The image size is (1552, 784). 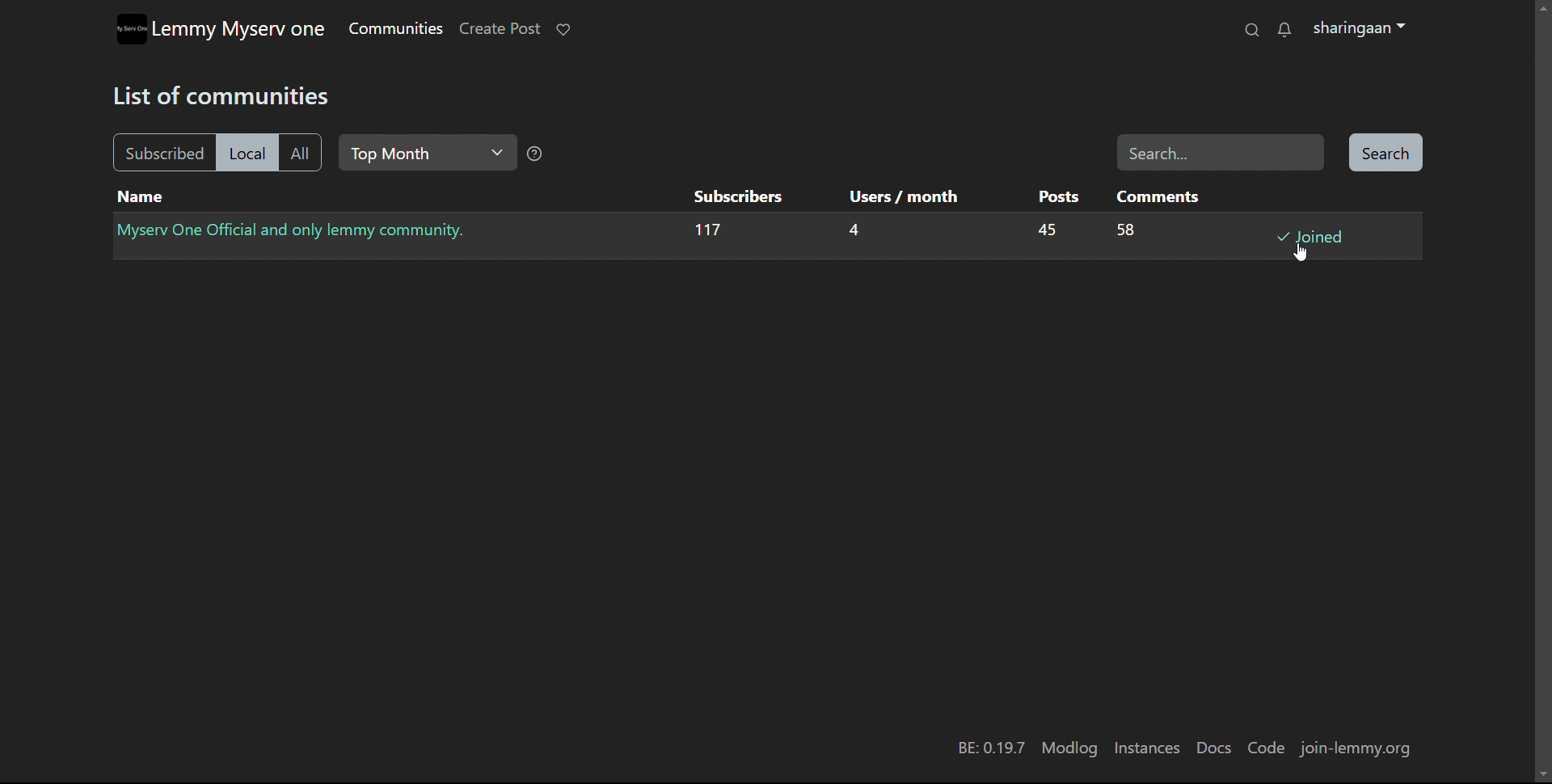 I want to click on search, so click(x=1250, y=30).